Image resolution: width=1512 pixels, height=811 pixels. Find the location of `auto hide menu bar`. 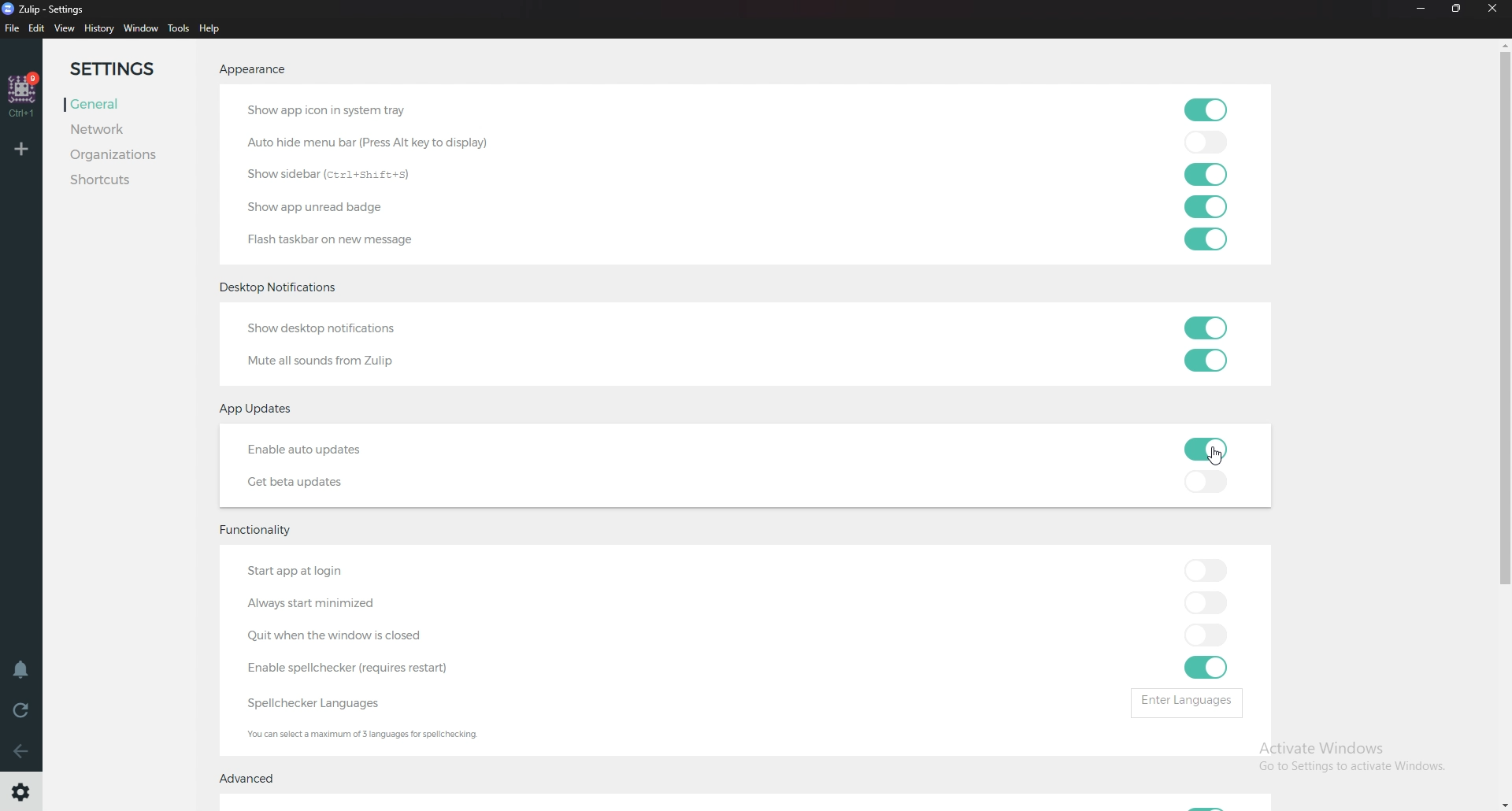

auto hide menu bar is located at coordinates (361, 143).